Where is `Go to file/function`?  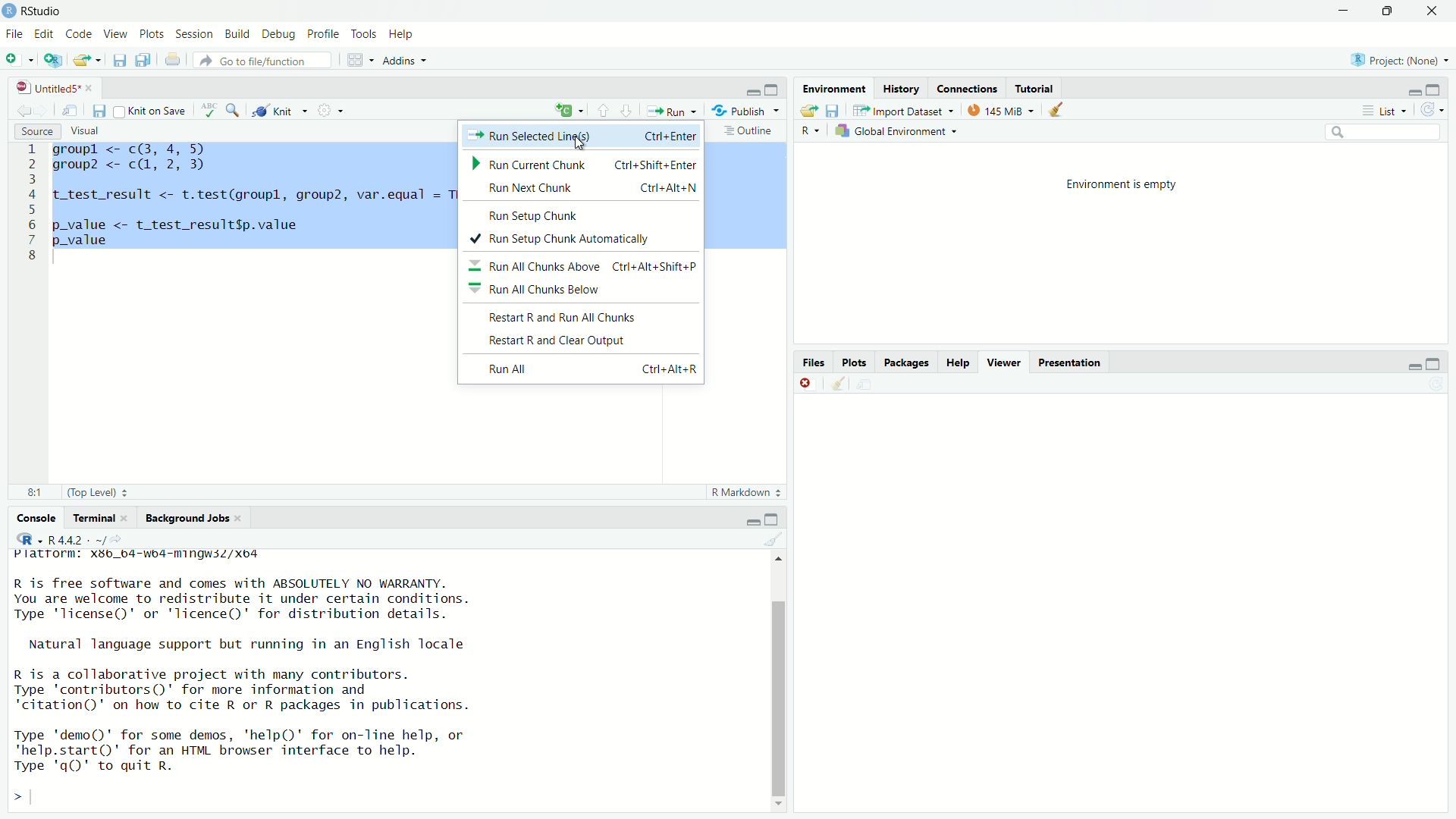 Go to file/function is located at coordinates (265, 61).